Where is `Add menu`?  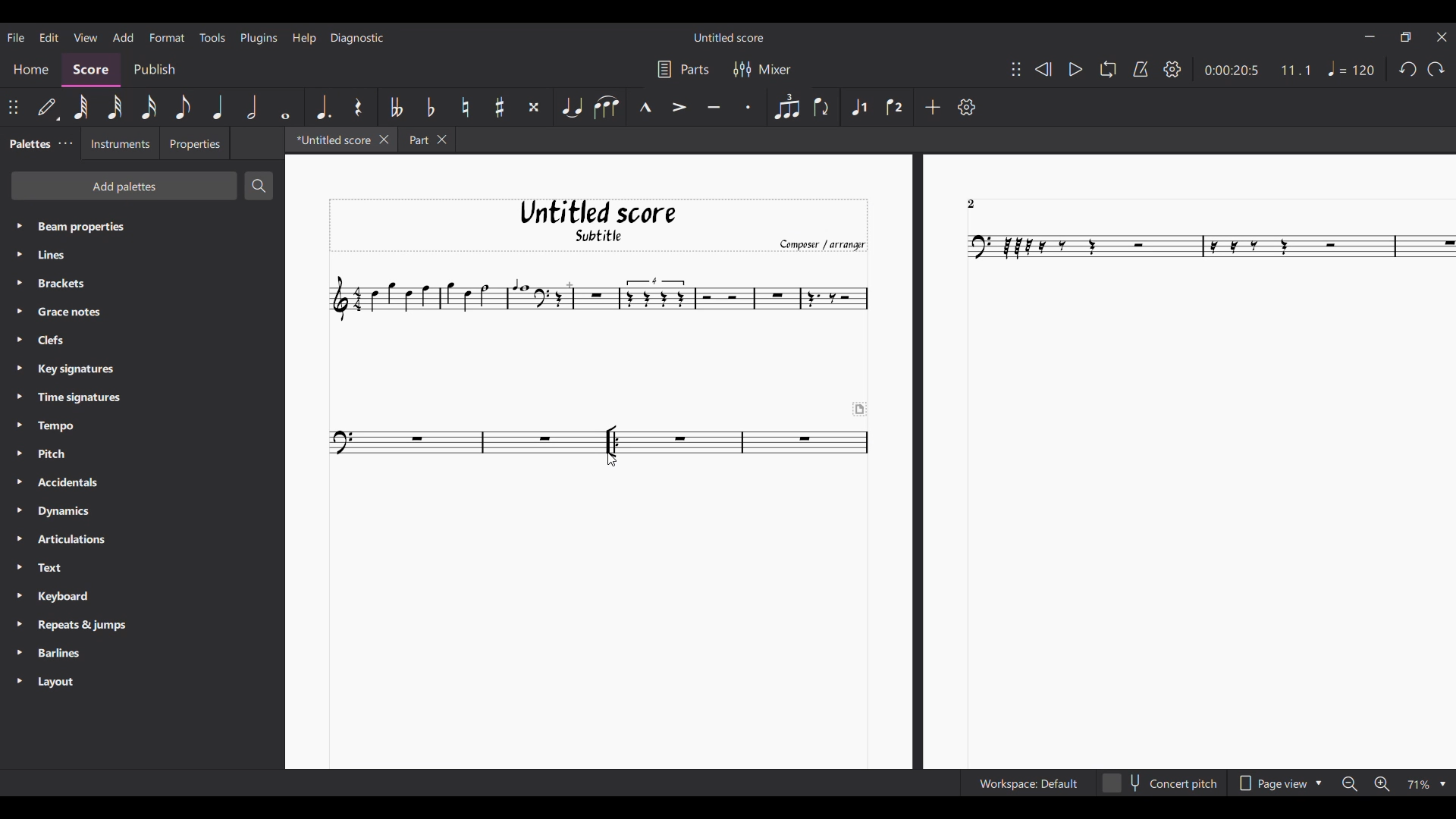
Add menu is located at coordinates (124, 37).